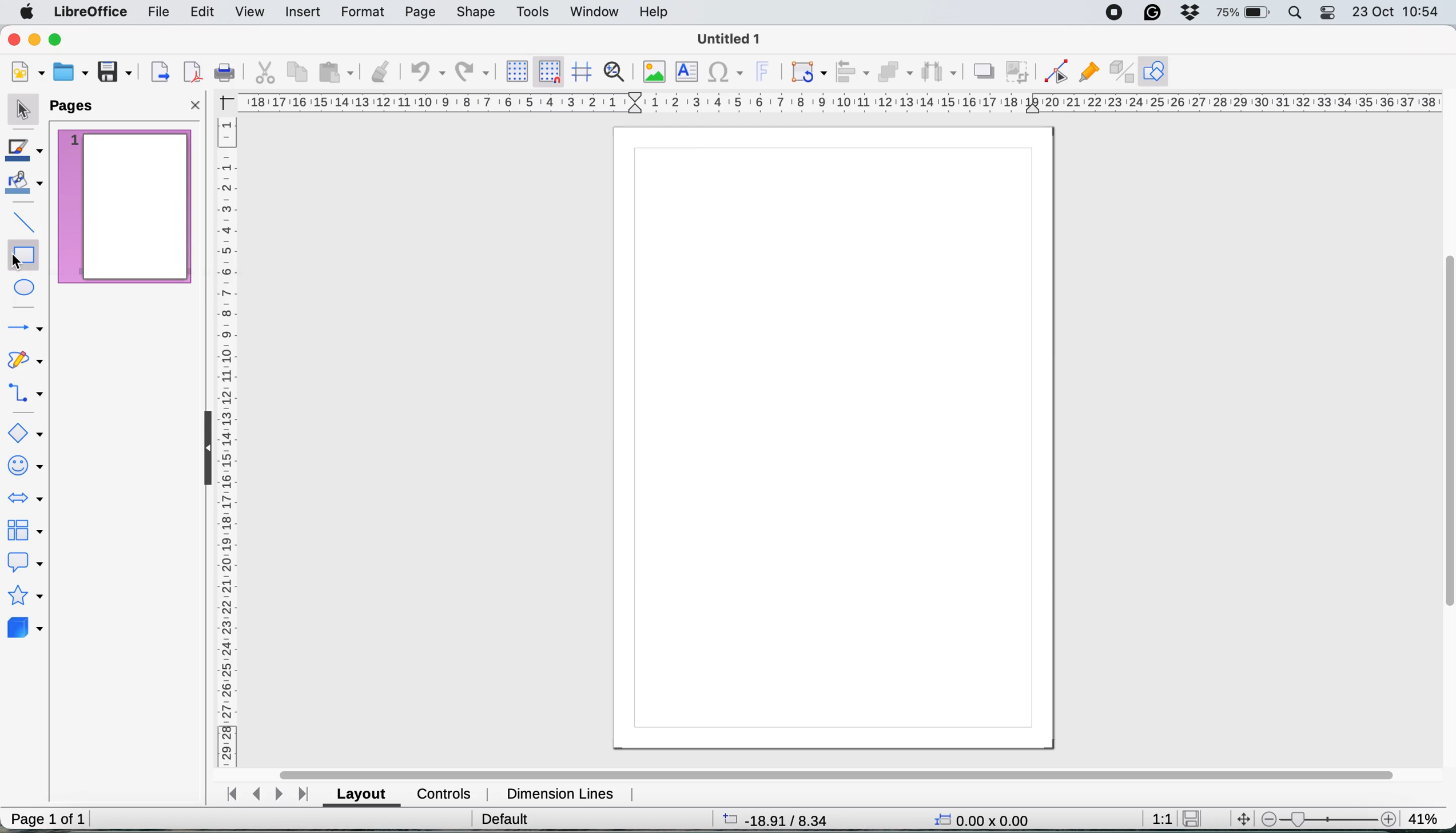 The width and height of the screenshot is (1456, 833). Describe the element at coordinates (1018, 73) in the screenshot. I see `crop image` at that location.